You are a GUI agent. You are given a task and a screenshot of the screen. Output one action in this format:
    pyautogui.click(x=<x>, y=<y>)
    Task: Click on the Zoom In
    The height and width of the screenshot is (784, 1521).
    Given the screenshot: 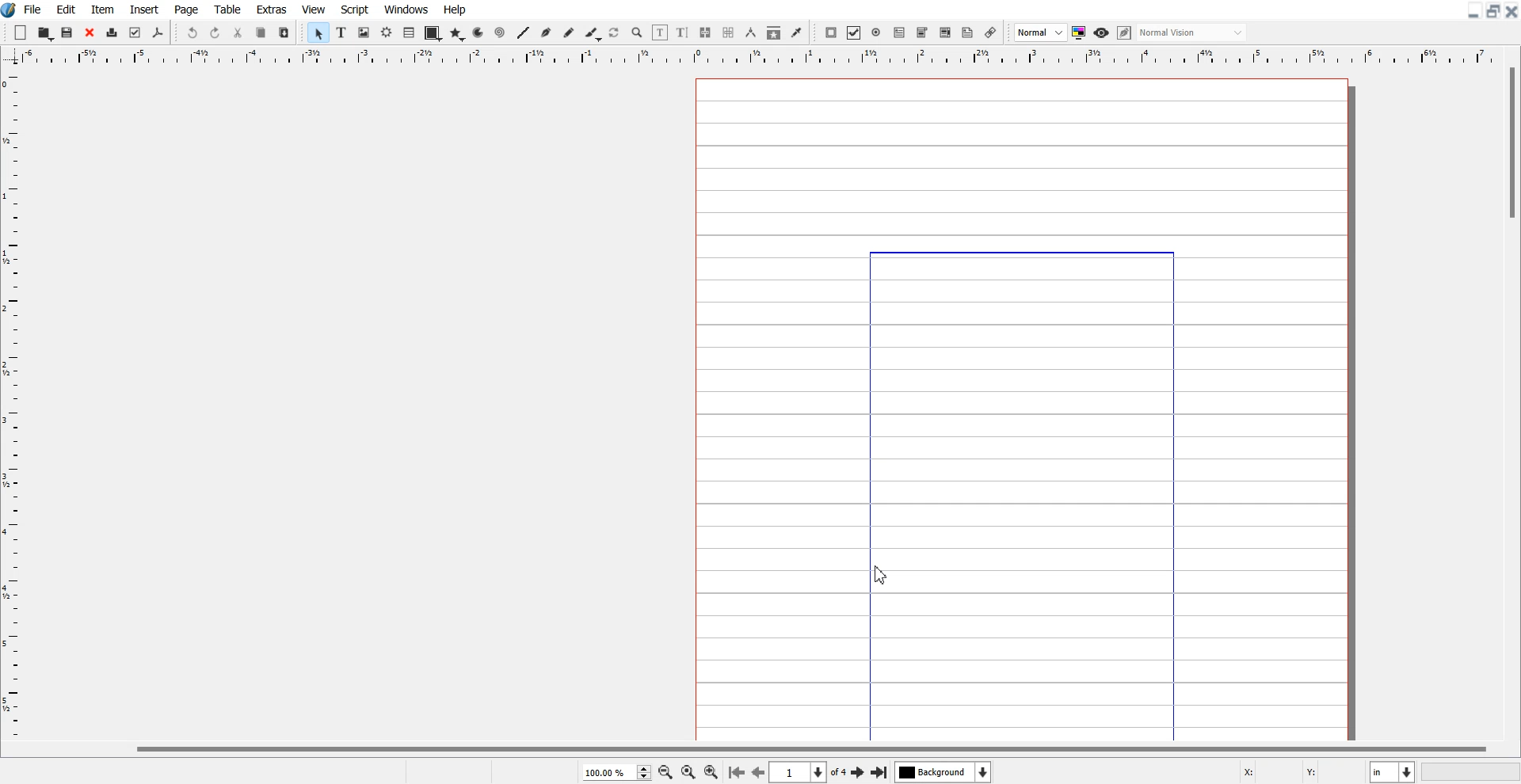 What is the action you would take?
    pyautogui.click(x=711, y=771)
    